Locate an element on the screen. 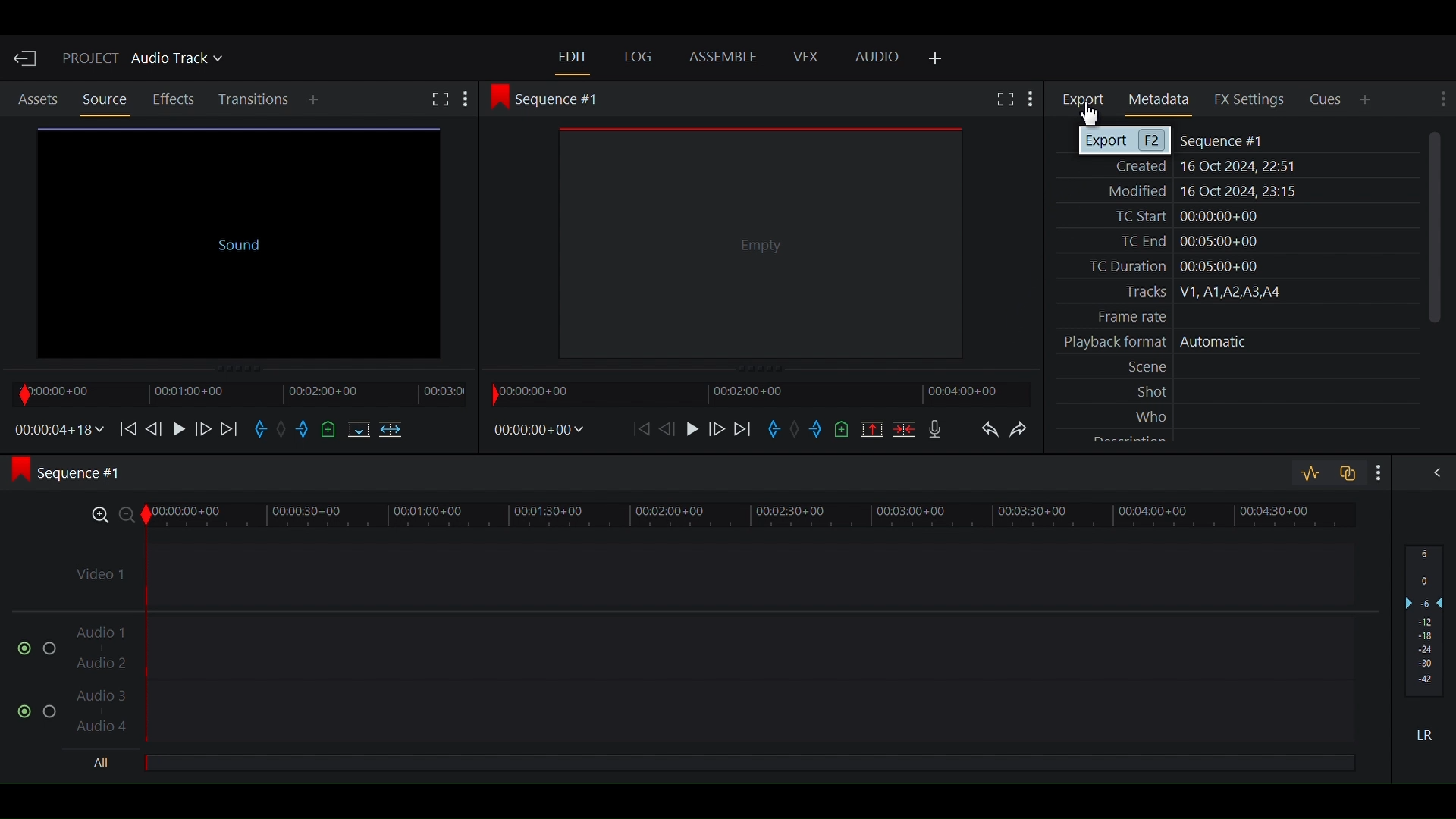 This screenshot has height=819, width=1456. Sequence #1 is located at coordinates (551, 98).